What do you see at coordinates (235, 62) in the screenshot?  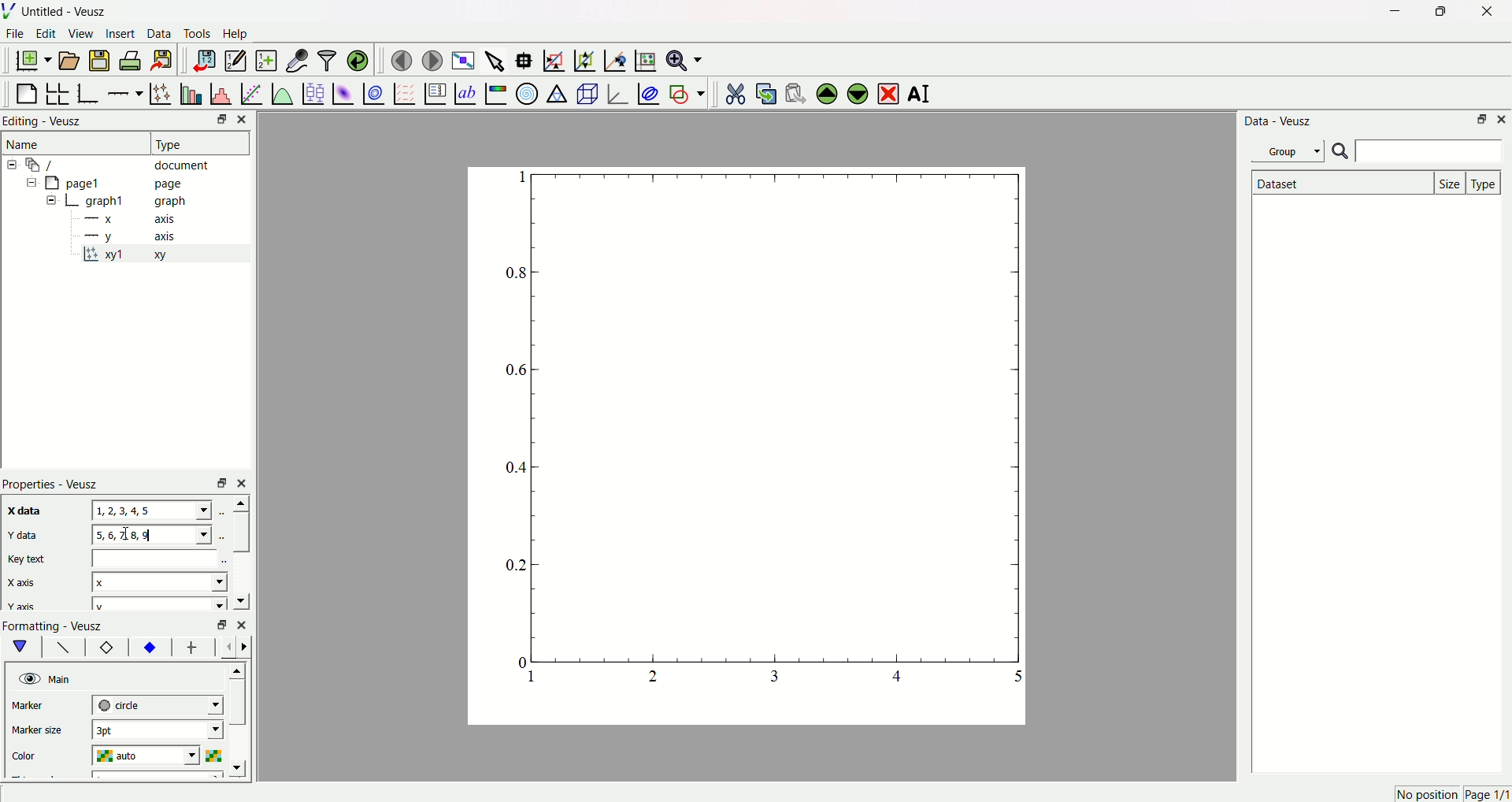 I see `edit and entry new datasets` at bounding box center [235, 62].